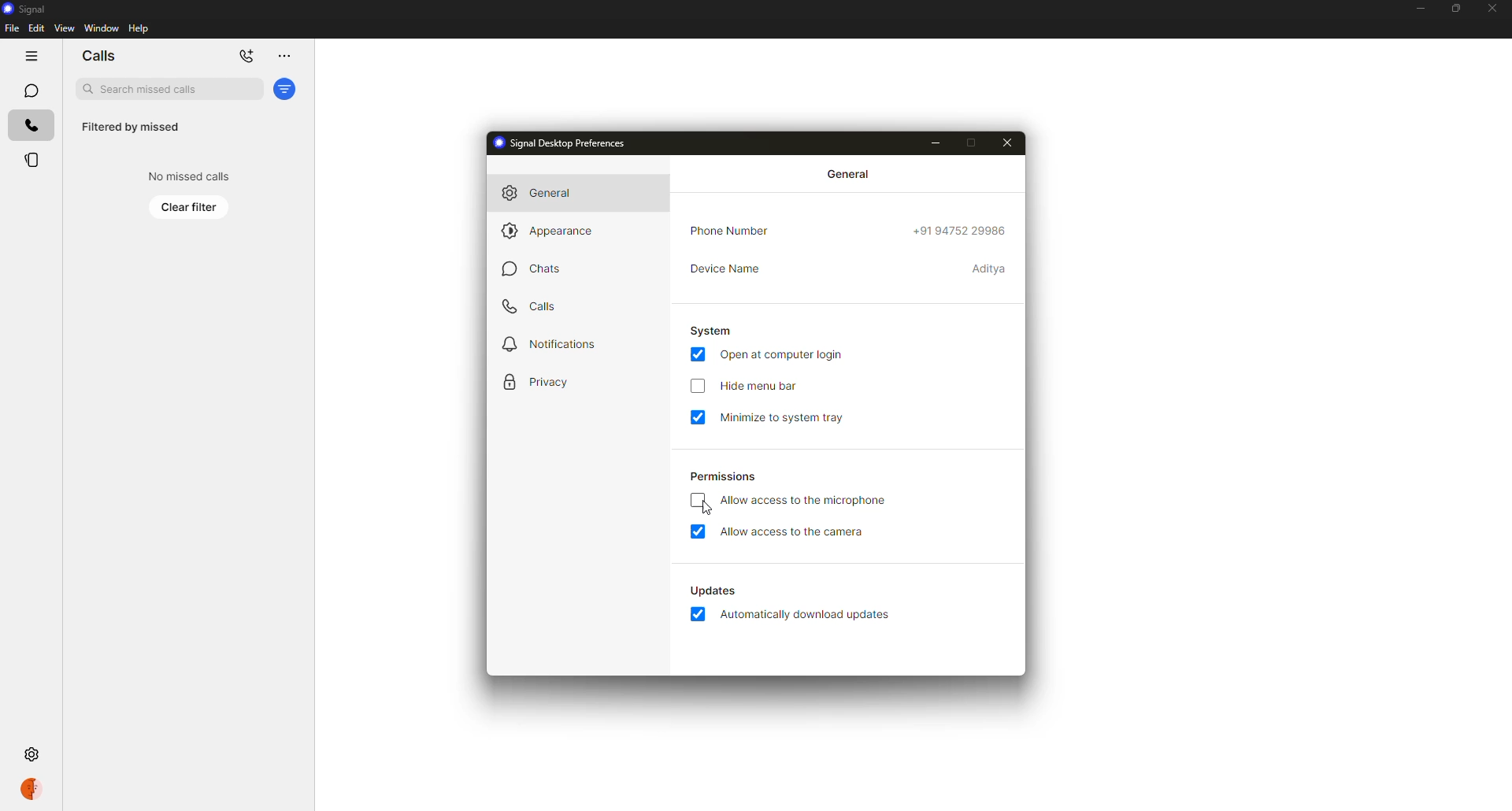 This screenshot has width=1512, height=811. What do you see at coordinates (558, 344) in the screenshot?
I see `notifications` at bounding box center [558, 344].